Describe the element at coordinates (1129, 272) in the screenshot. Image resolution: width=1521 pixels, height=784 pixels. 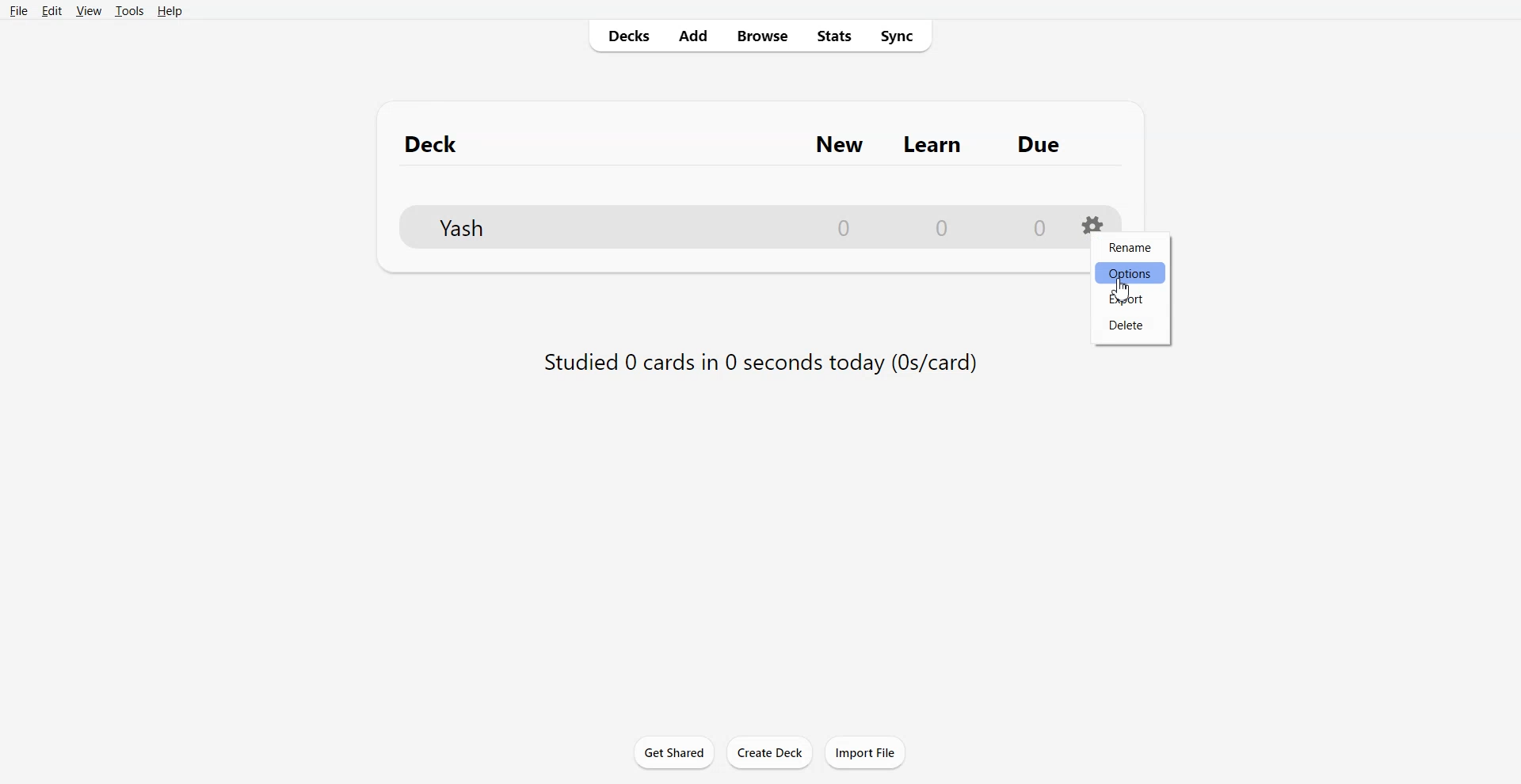
I see `Option` at that location.